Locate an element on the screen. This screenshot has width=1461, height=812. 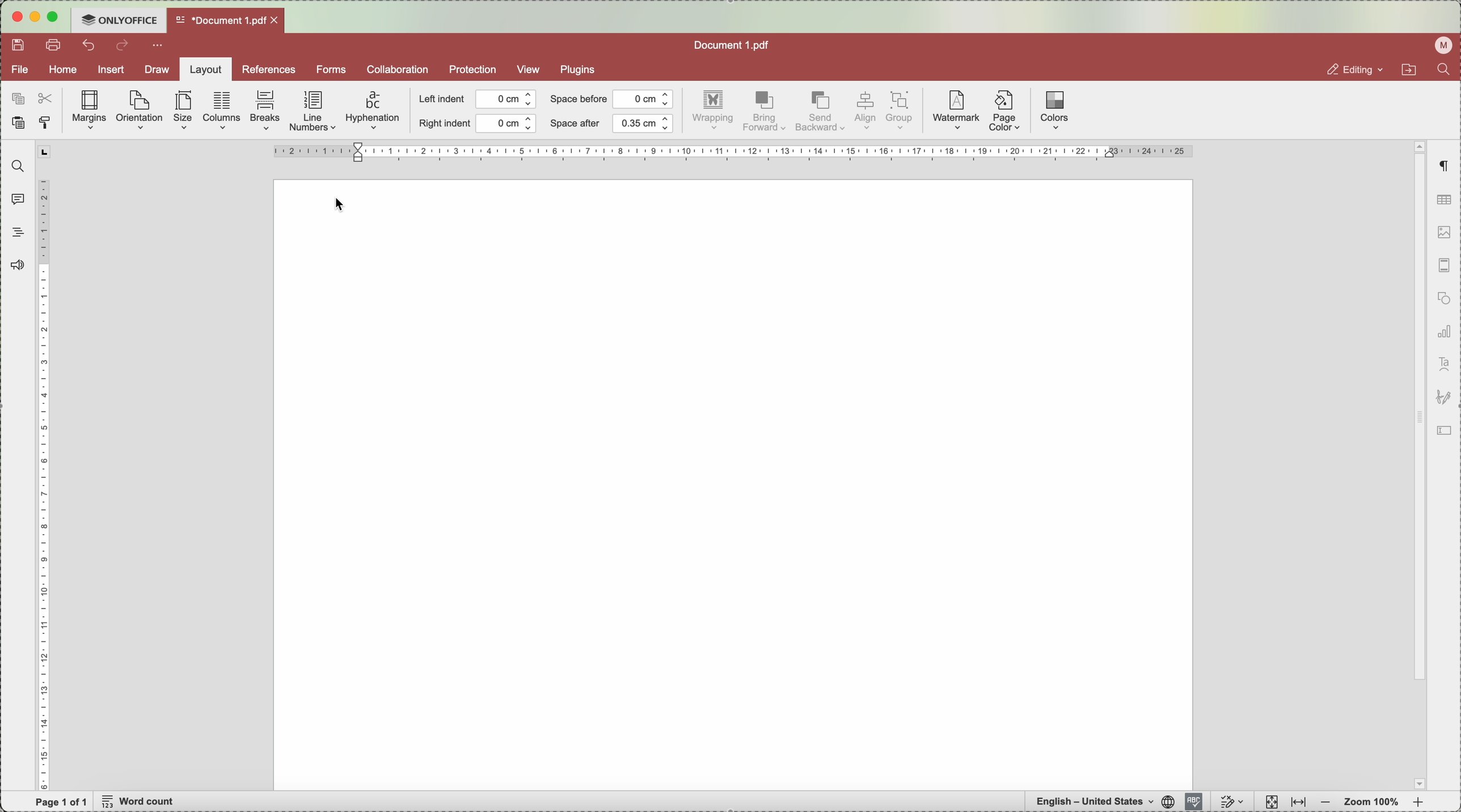
open file location is located at coordinates (1407, 71).